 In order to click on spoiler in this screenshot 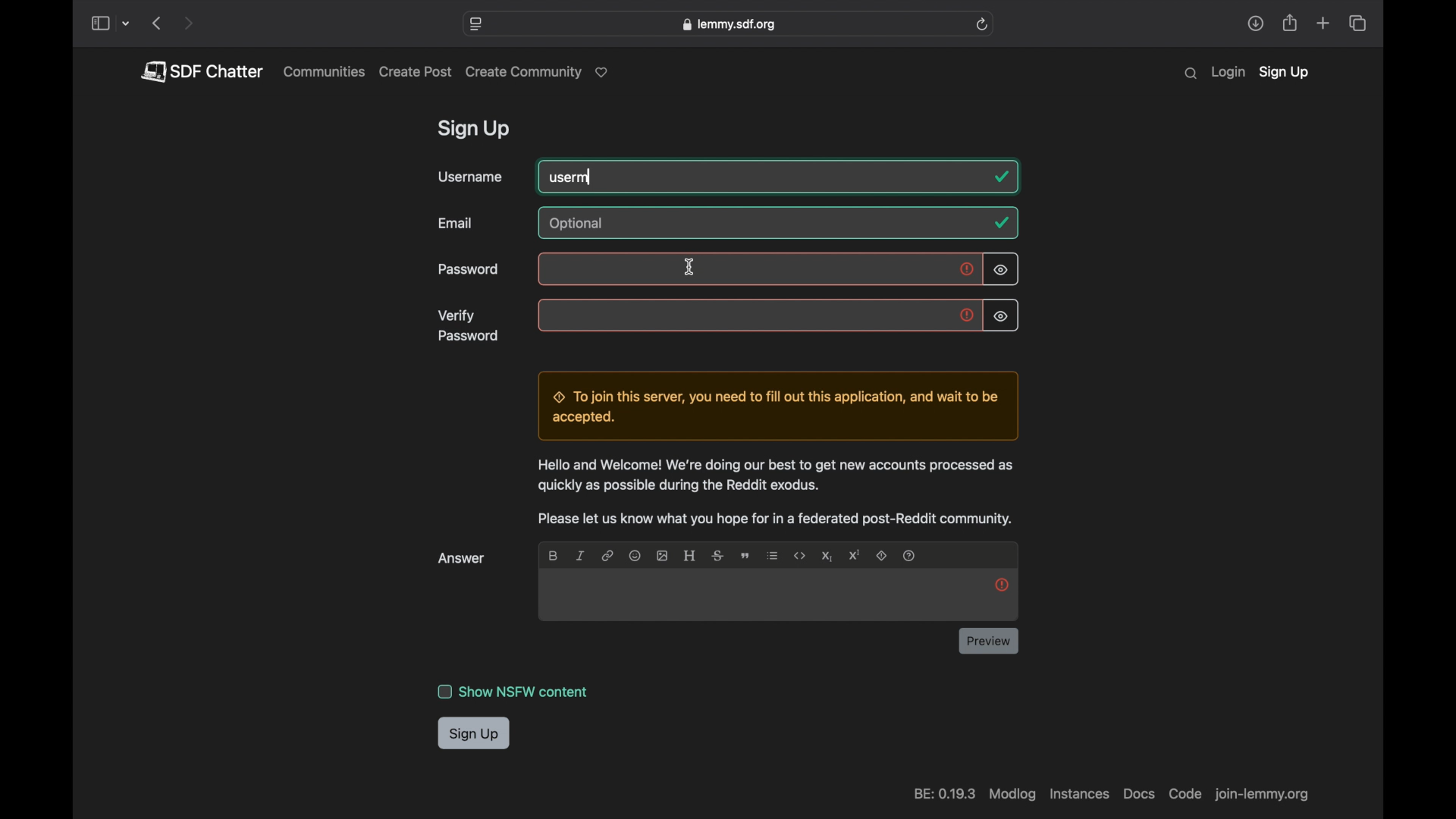, I will do `click(883, 557)`.